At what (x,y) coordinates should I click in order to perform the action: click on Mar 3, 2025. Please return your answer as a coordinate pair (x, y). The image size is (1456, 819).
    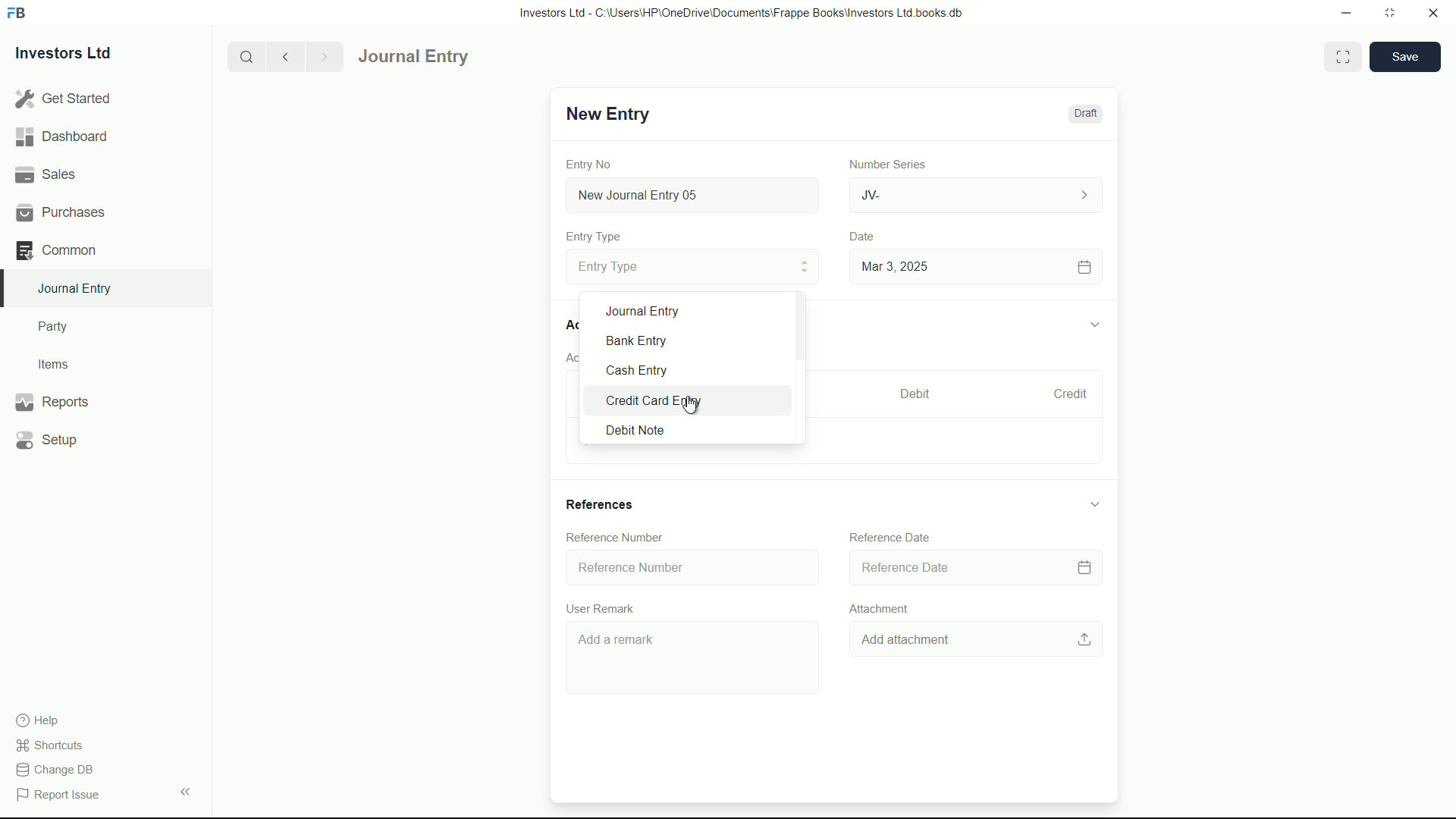
    Looking at the image, I should click on (974, 266).